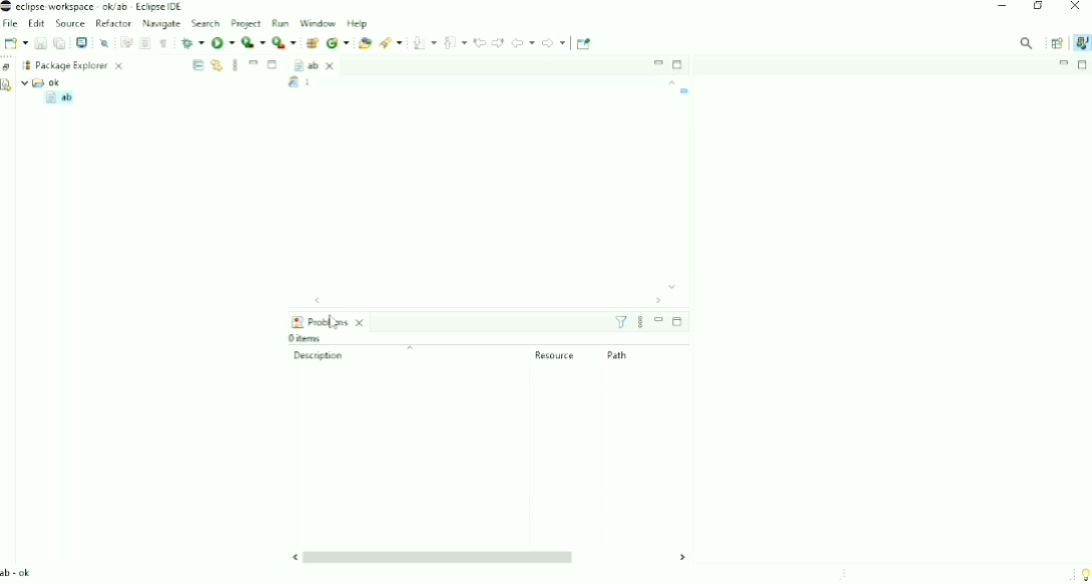 This screenshot has height=584, width=1092. Describe the element at coordinates (329, 321) in the screenshot. I see `Problems` at that location.